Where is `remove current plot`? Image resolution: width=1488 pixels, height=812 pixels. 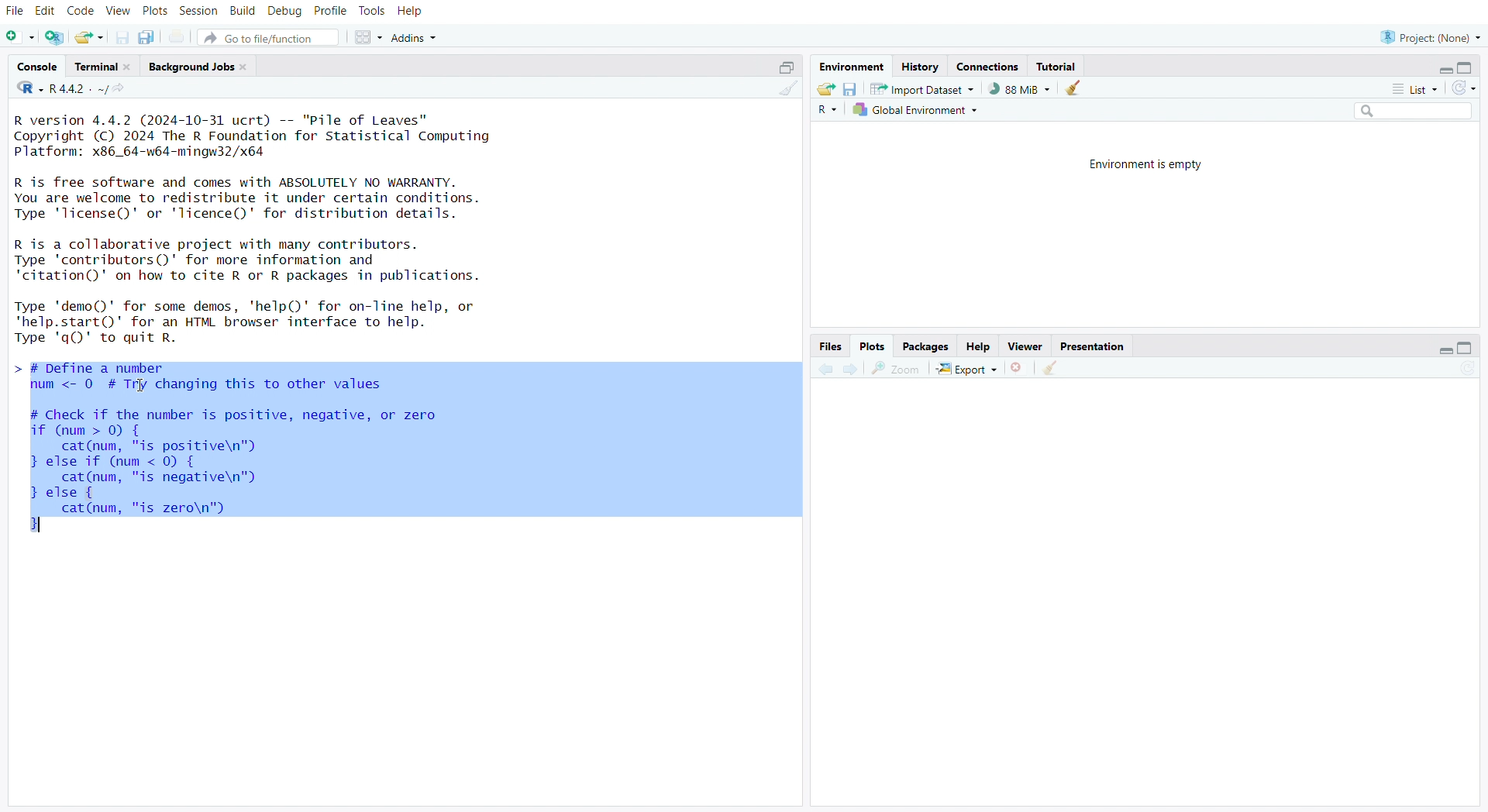
remove current plot is located at coordinates (1018, 369).